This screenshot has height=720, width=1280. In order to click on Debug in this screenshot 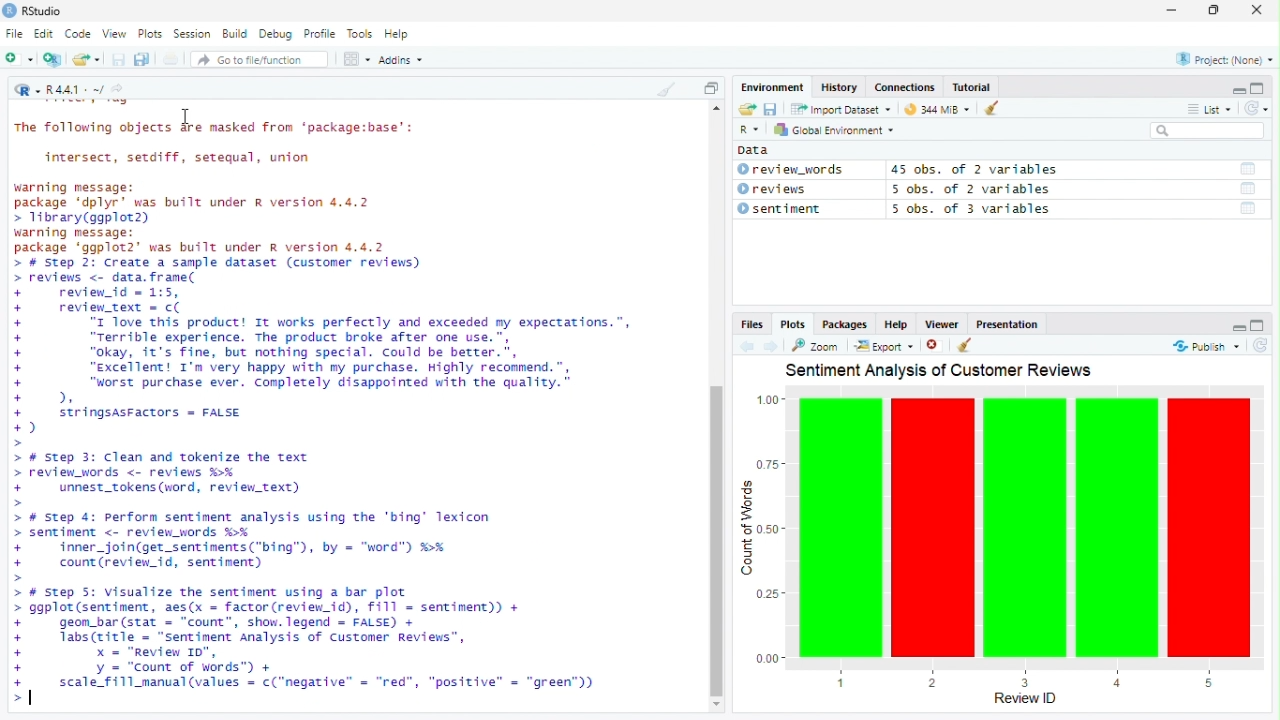, I will do `click(276, 32)`.